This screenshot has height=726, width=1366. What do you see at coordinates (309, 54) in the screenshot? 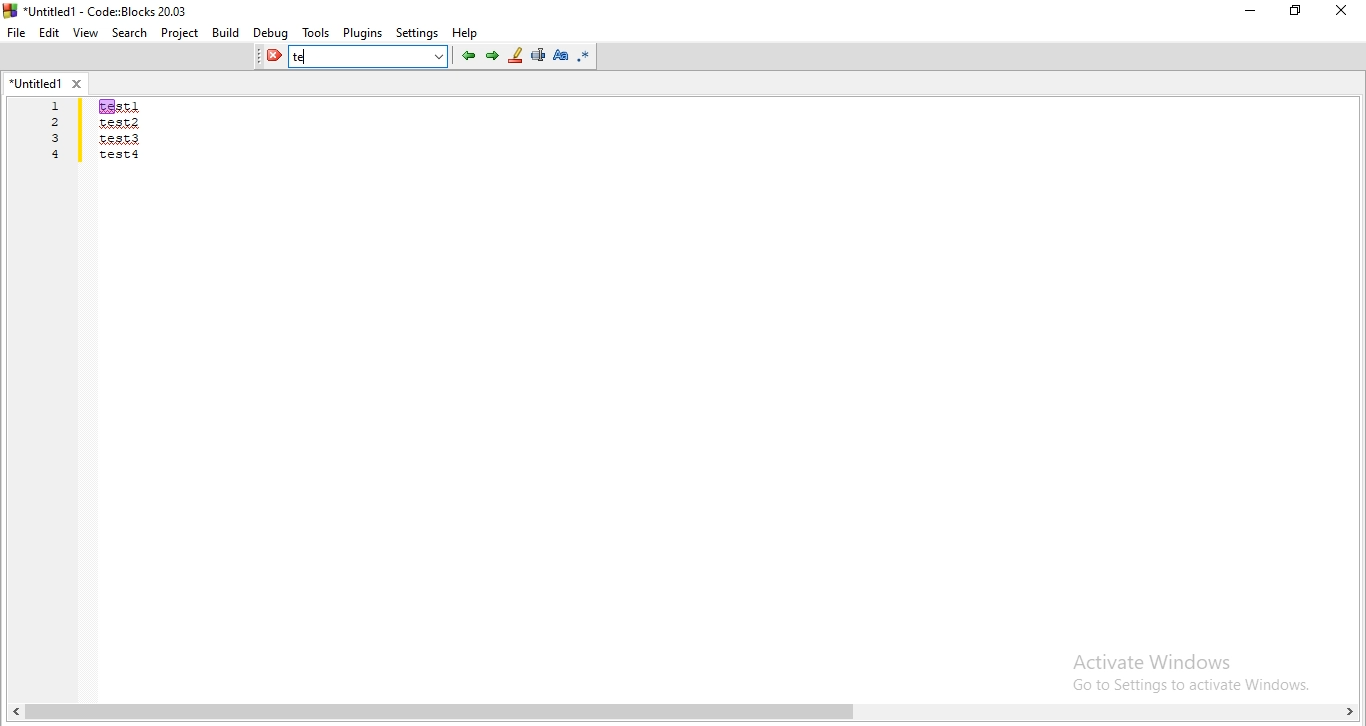
I see `cursor` at bounding box center [309, 54].